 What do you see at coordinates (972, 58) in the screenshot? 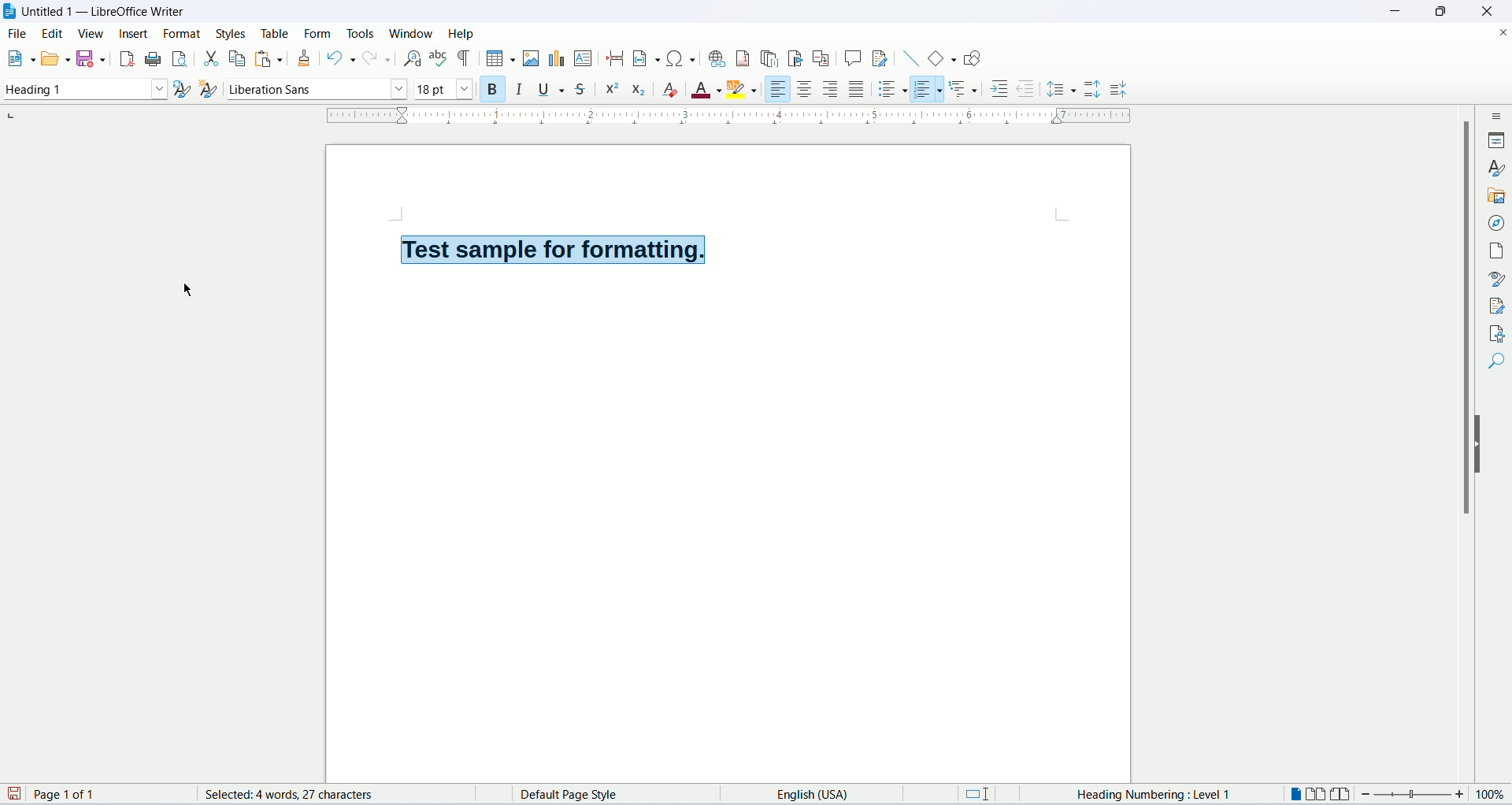
I see `draw function` at bounding box center [972, 58].